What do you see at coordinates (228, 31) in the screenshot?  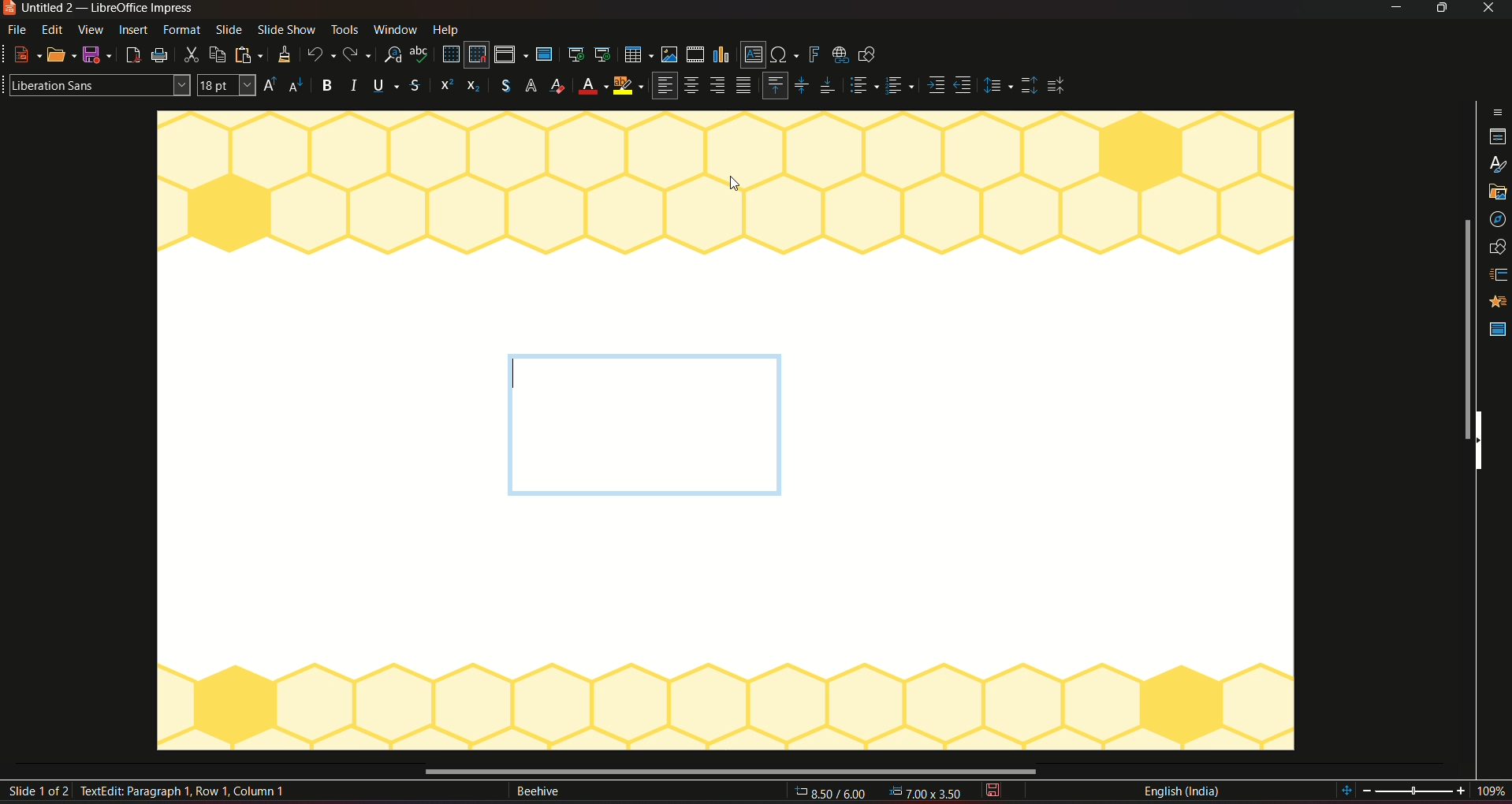 I see `slide` at bounding box center [228, 31].